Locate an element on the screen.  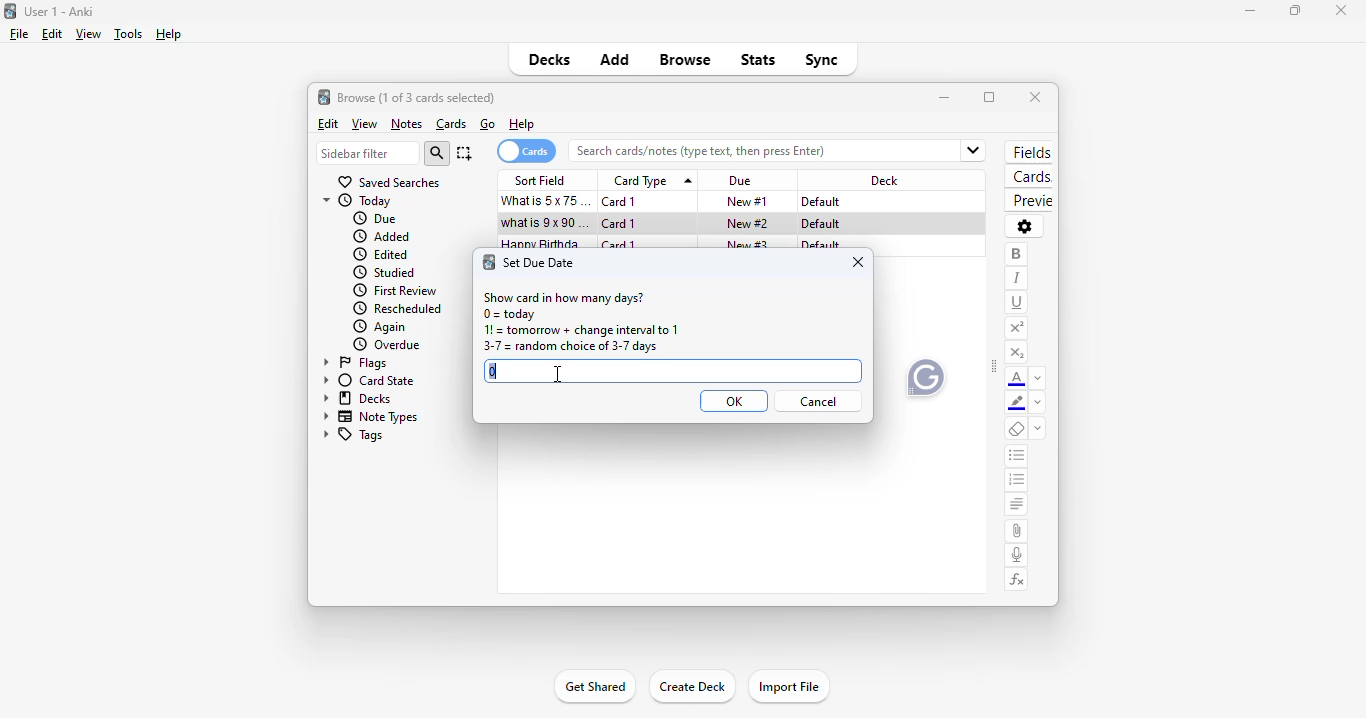
change color is located at coordinates (1040, 378).